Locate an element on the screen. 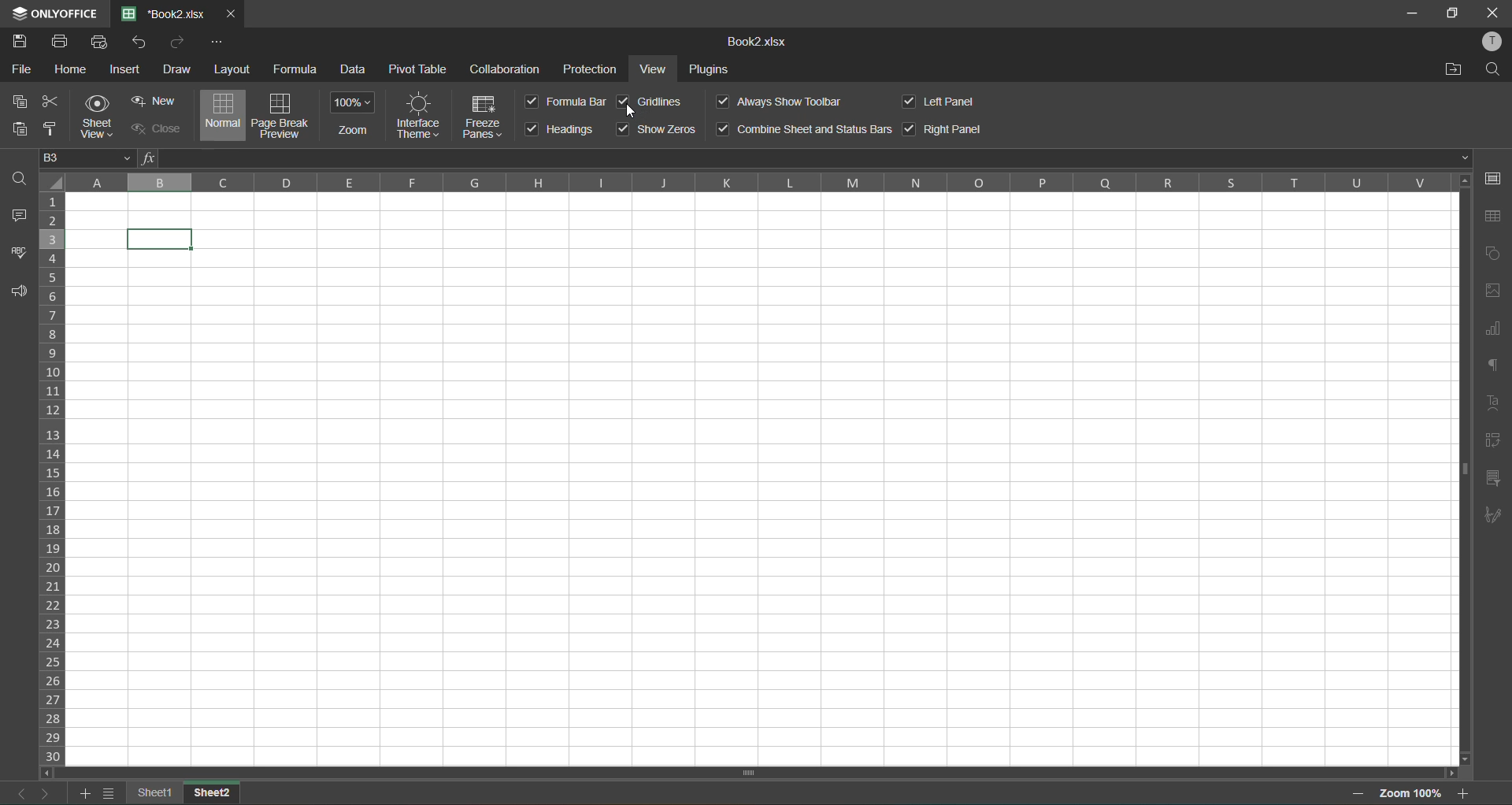 The height and width of the screenshot is (805, 1512). charts is located at coordinates (1492, 333).